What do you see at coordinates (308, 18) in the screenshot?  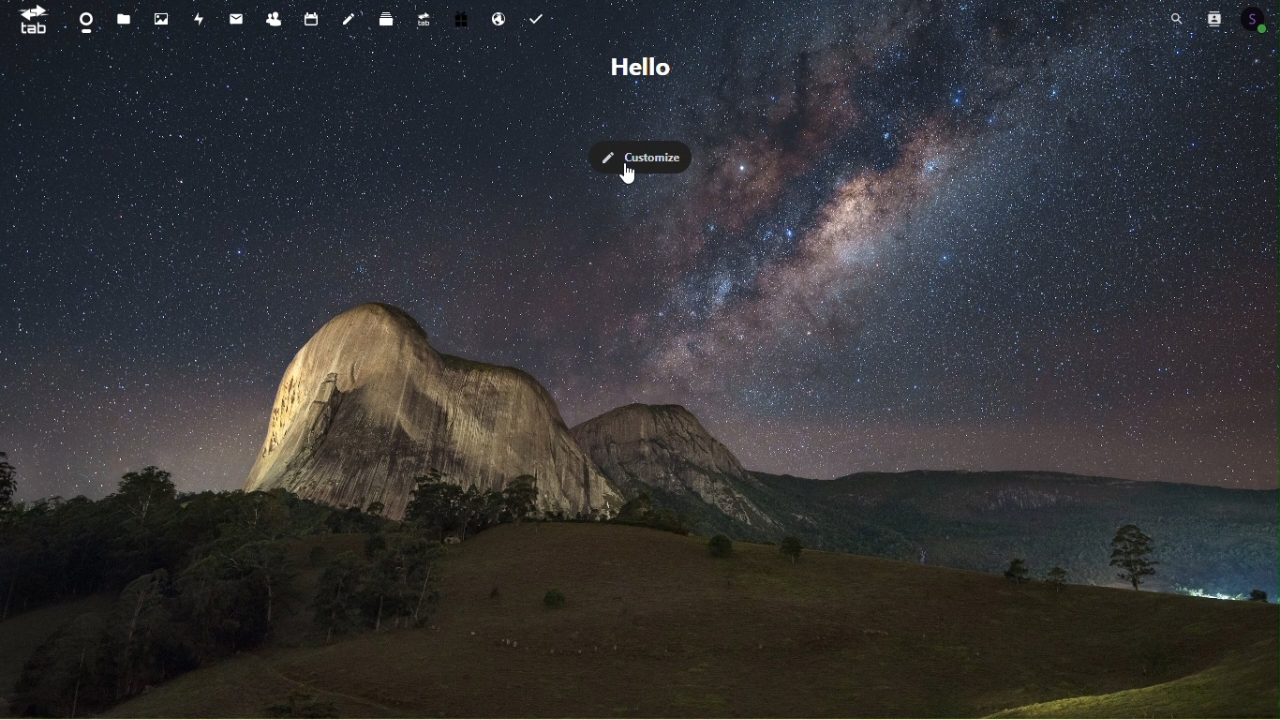 I see `Calendar` at bounding box center [308, 18].